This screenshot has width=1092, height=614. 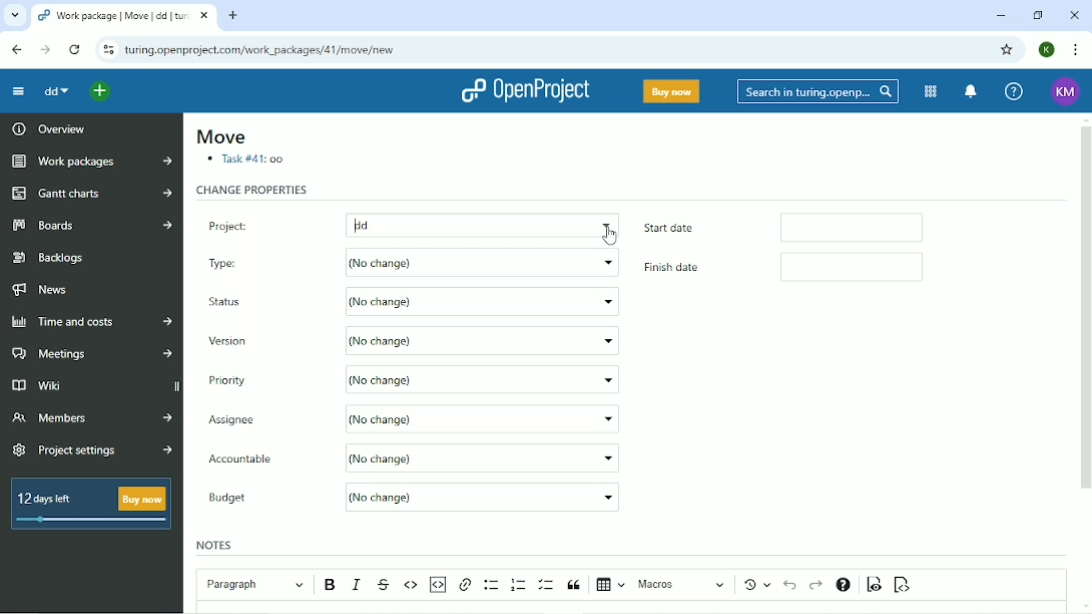 I want to click on Priority, so click(x=236, y=379).